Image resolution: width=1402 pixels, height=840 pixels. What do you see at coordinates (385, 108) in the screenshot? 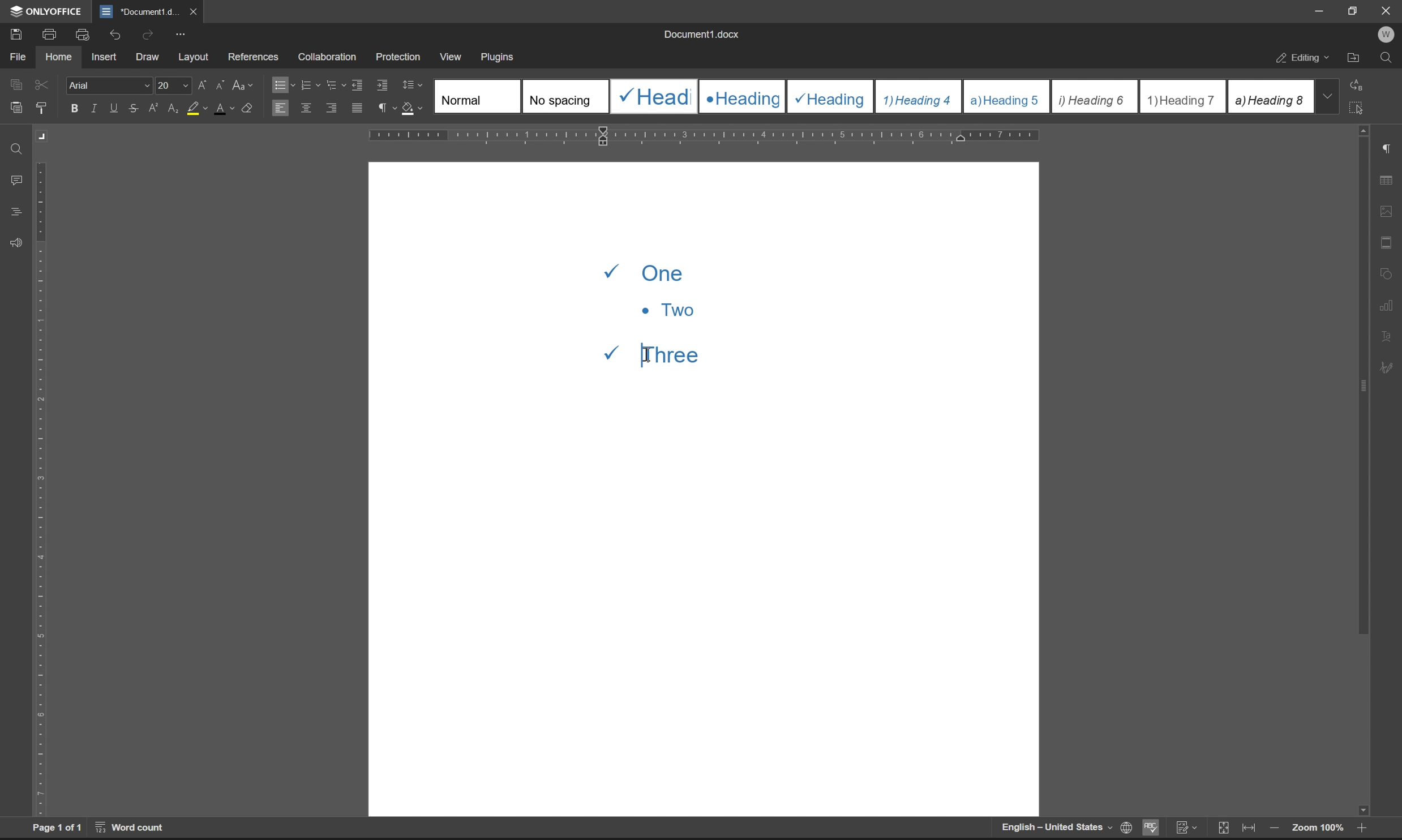
I see `paragraph` at bounding box center [385, 108].